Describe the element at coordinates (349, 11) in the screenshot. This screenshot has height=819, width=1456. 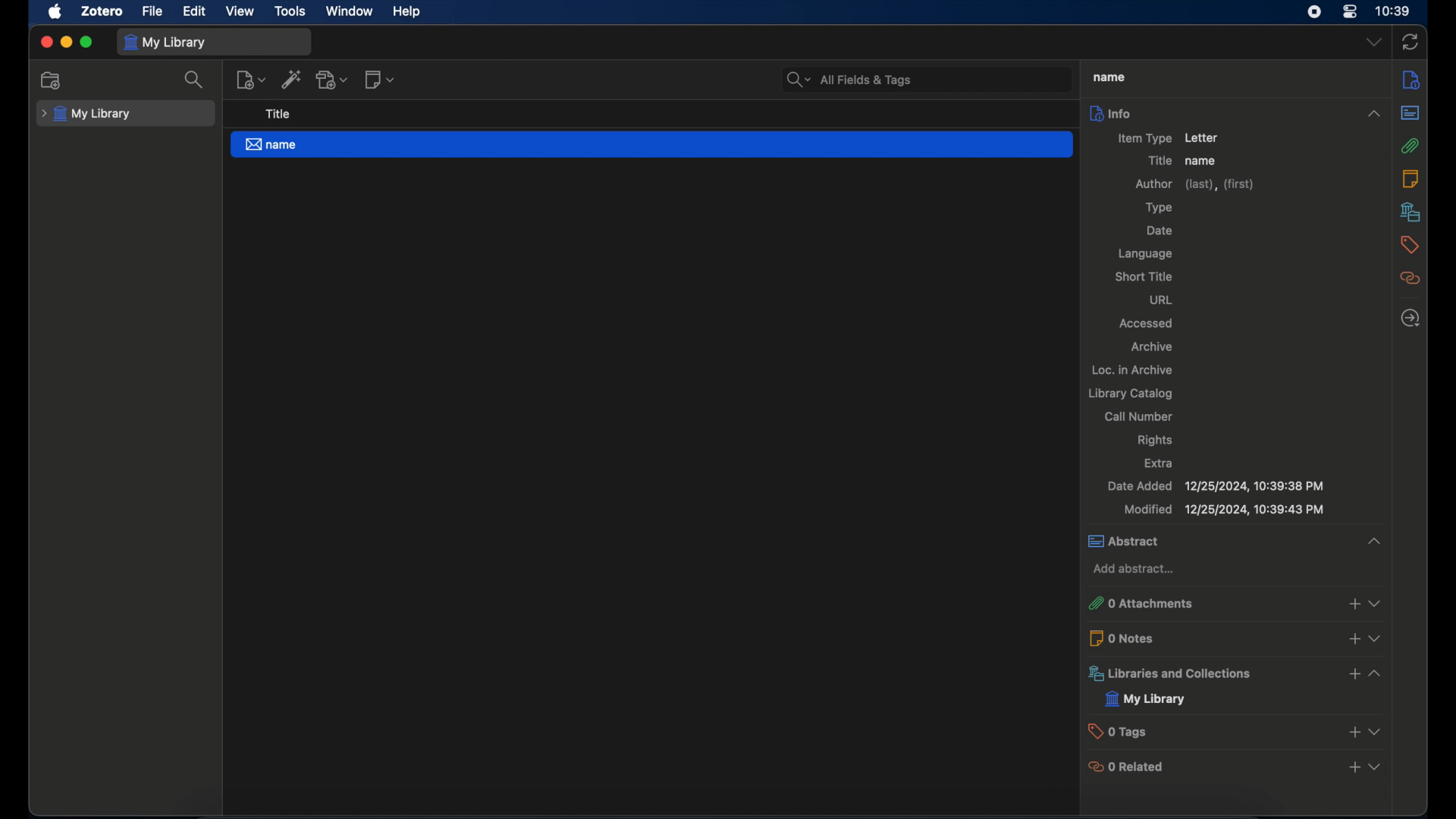
I see `window` at that location.